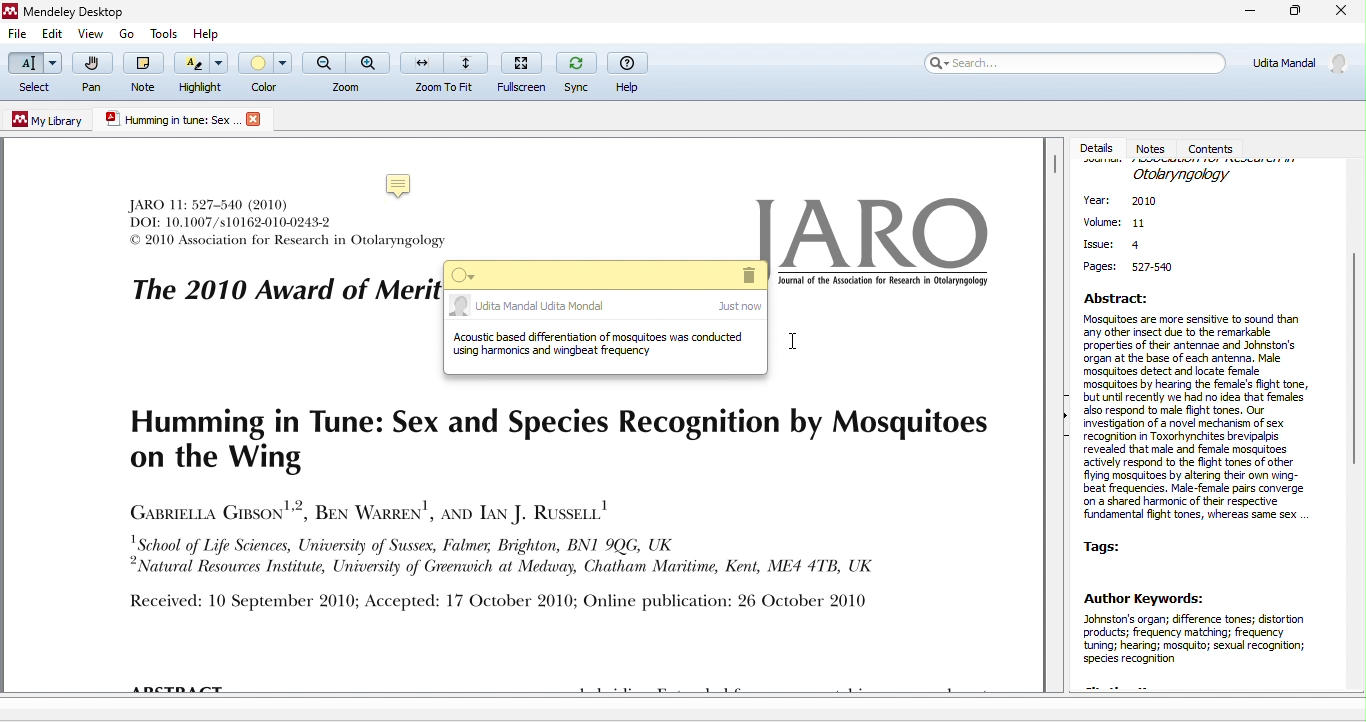 The height and width of the screenshot is (722, 1366). What do you see at coordinates (1298, 69) in the screenshot?
I see `account` at bounding box center [1298, 69].